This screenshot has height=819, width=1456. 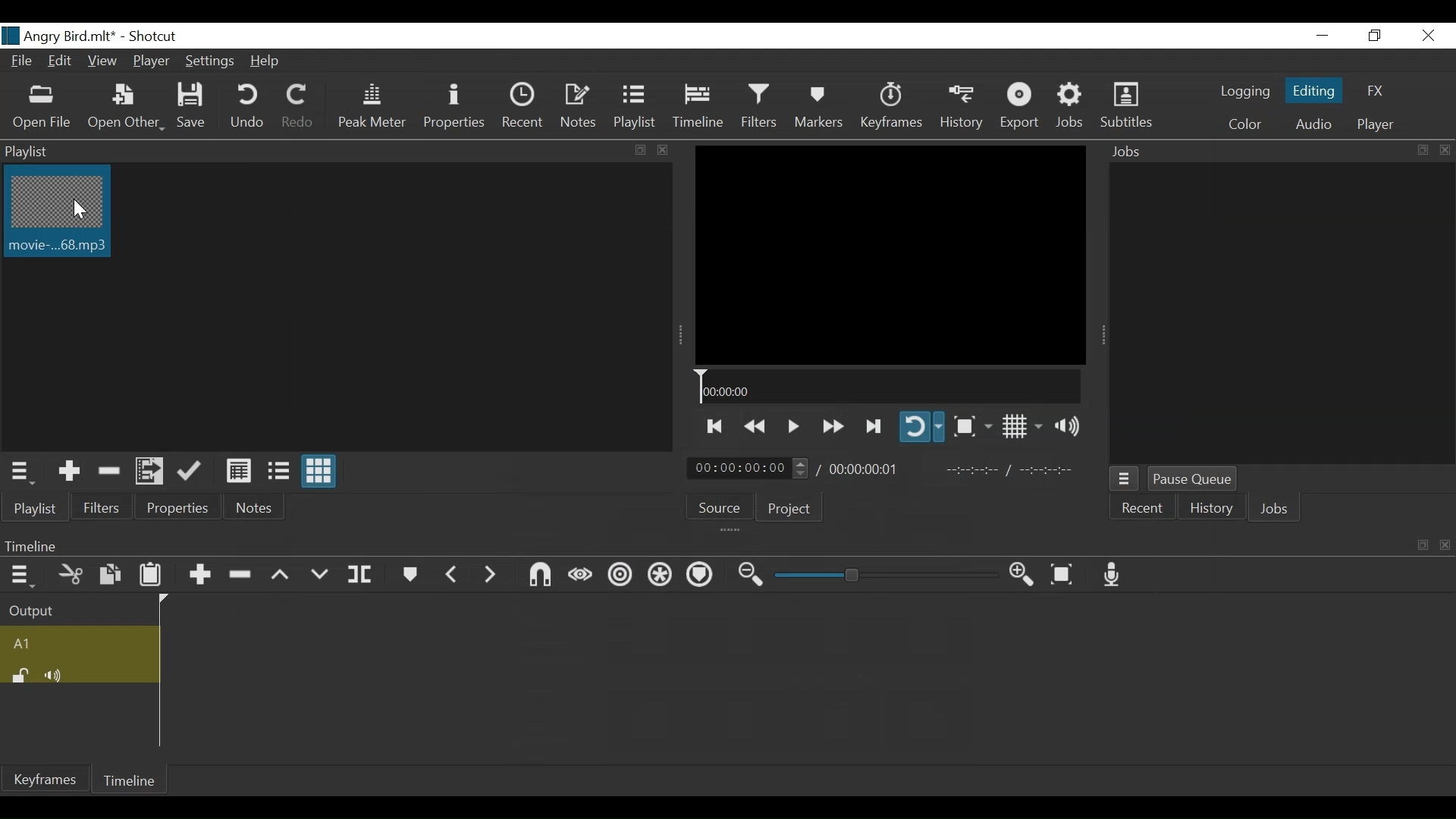 What do you see at coordinates (1072, 108) in the screenshot?
I see `Jobs` at bounding box center [1072, 108].